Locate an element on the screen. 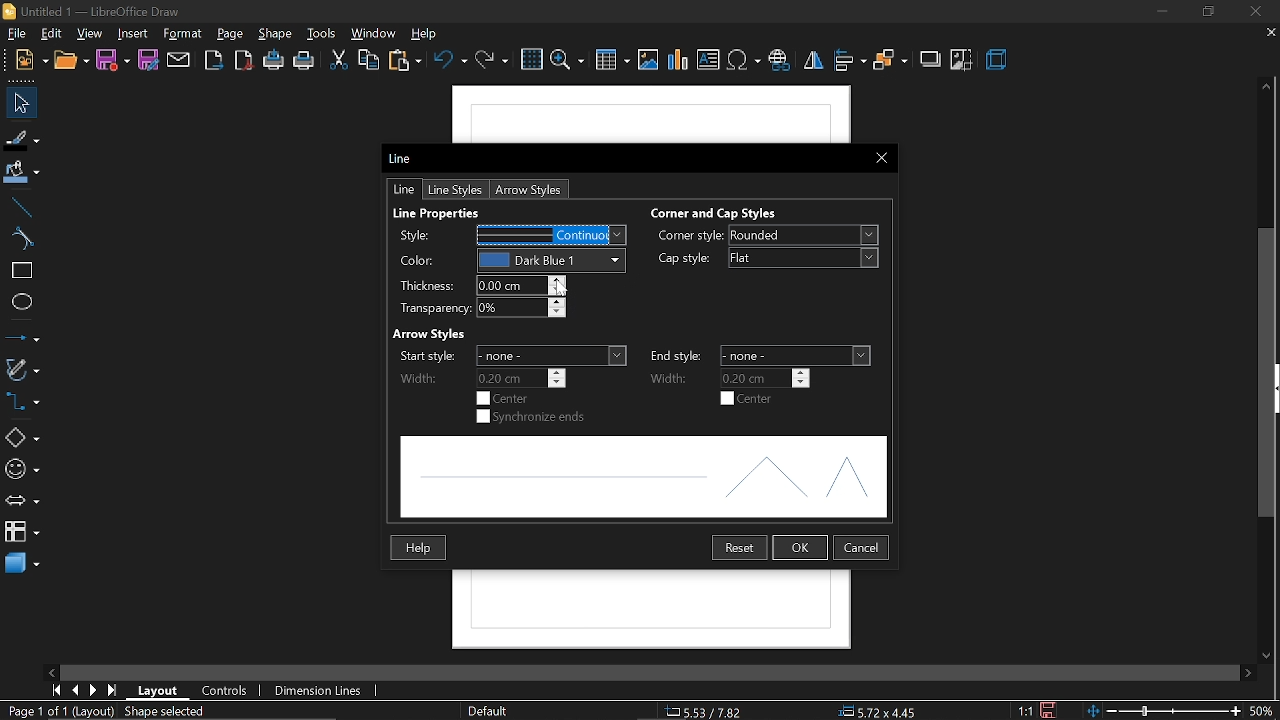  print directly is located at coordinates (274, 62).